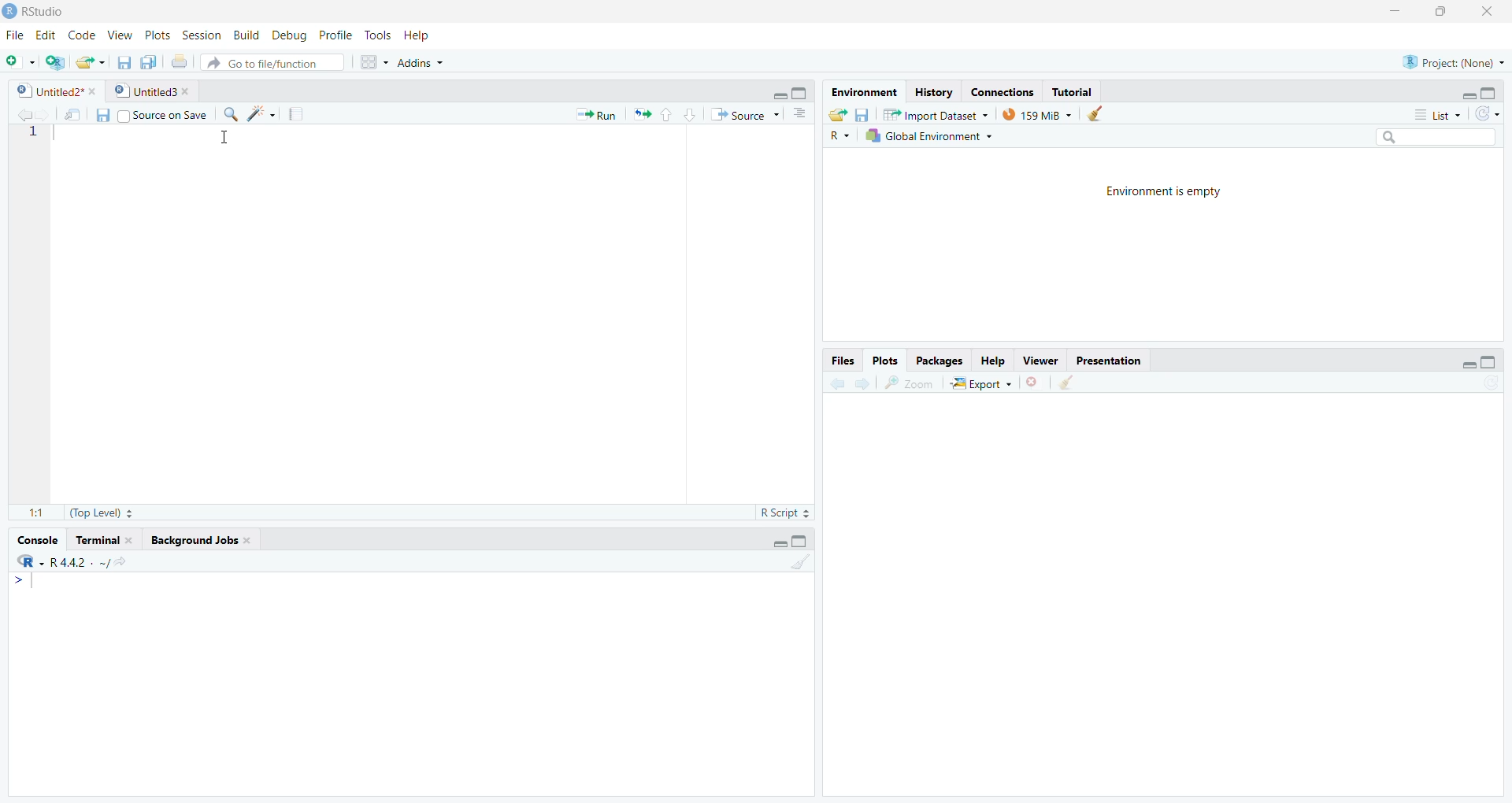  I want to click on addins, so click(421, 62).